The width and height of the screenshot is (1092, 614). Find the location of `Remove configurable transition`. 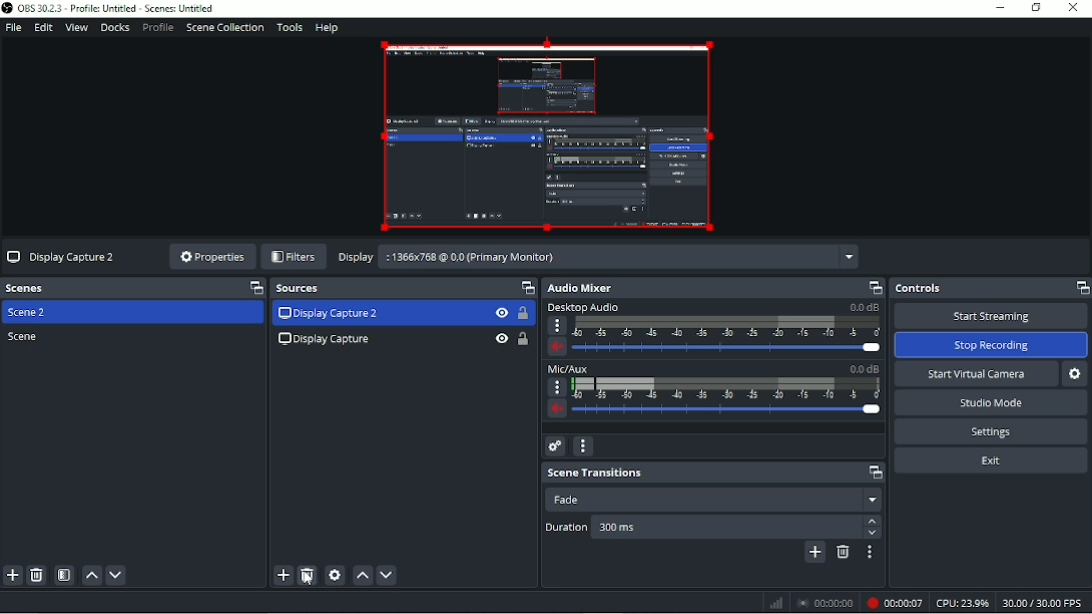

Remove configurable transition is located at coordinates (843, 553).